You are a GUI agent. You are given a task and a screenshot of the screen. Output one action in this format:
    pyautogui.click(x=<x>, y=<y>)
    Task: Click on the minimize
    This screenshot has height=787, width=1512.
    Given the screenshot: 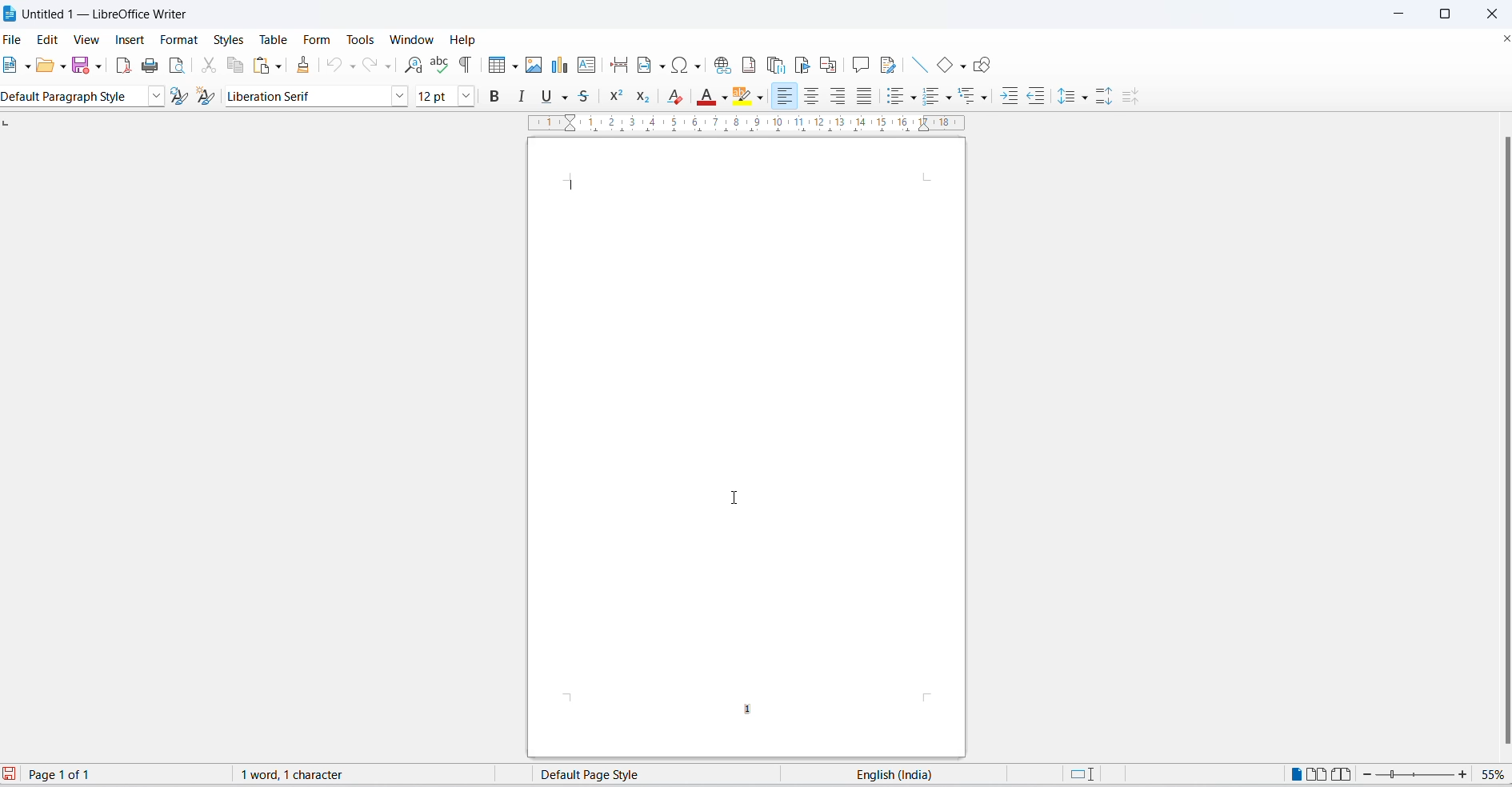 What is the action you would take?
    pyautogui.click(x=1404, y=14)
    